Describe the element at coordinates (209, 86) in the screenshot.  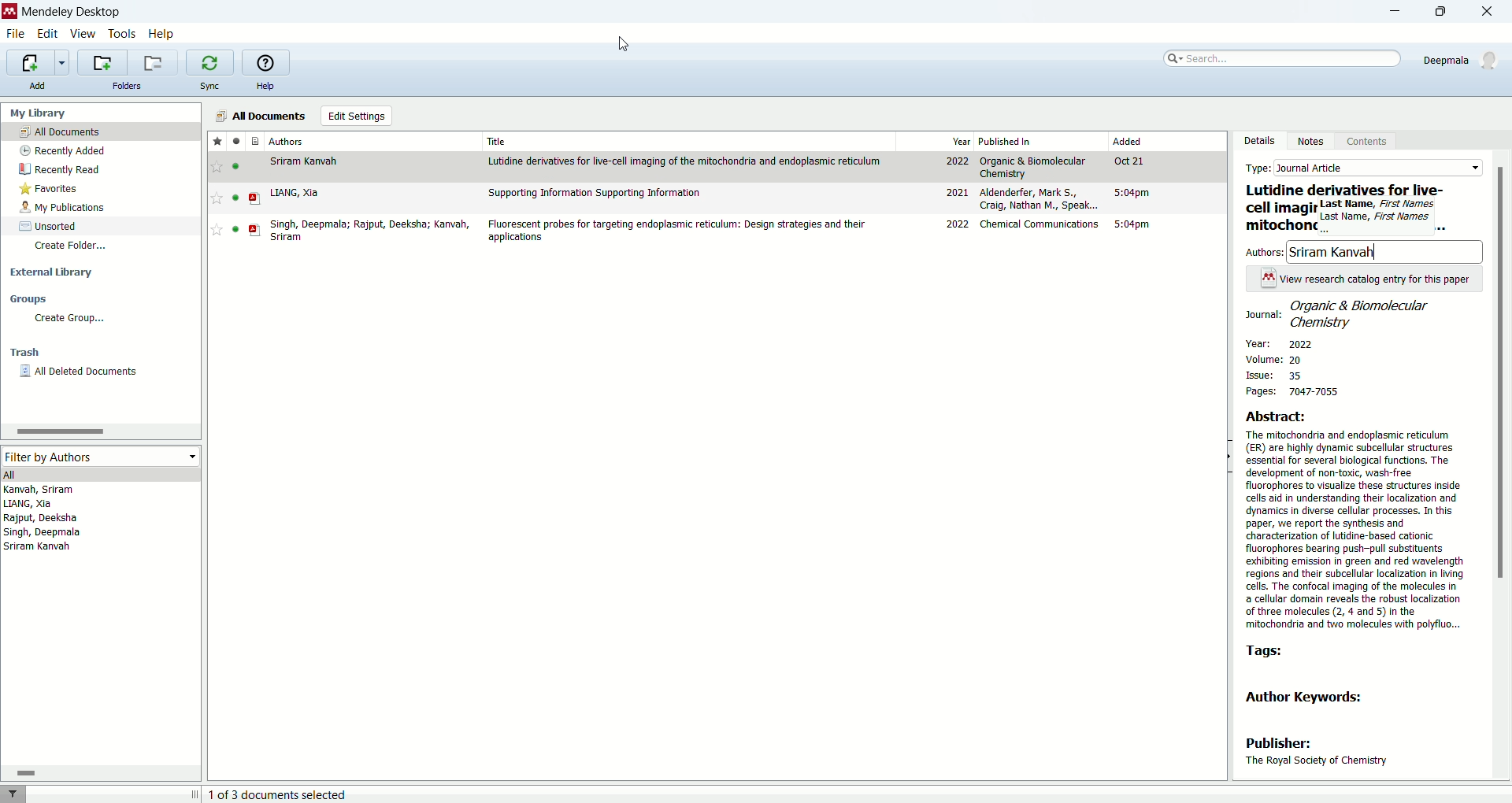
I see `sync` at that location.